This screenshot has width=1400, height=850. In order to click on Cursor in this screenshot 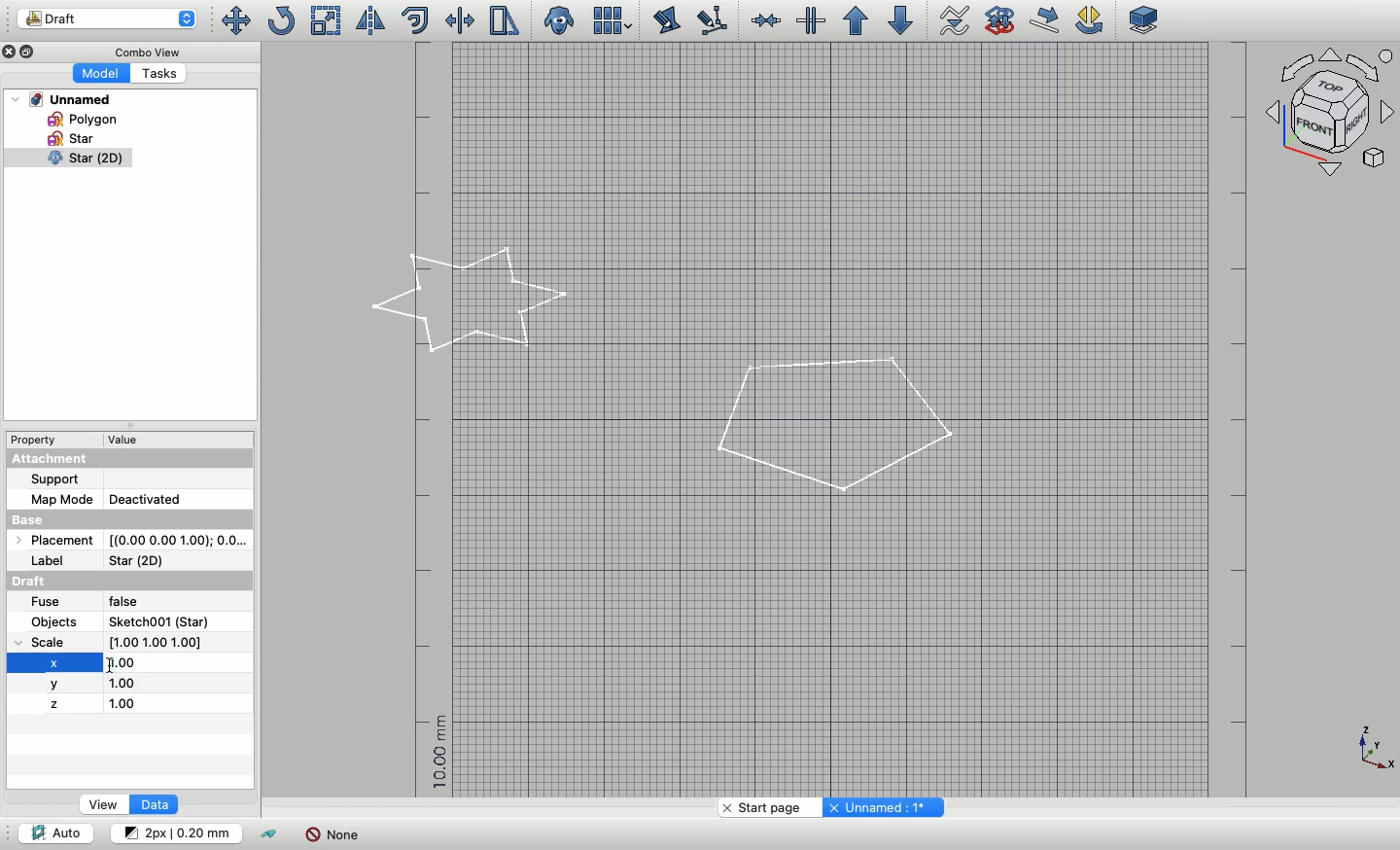, I will do `click(108, 664)`.